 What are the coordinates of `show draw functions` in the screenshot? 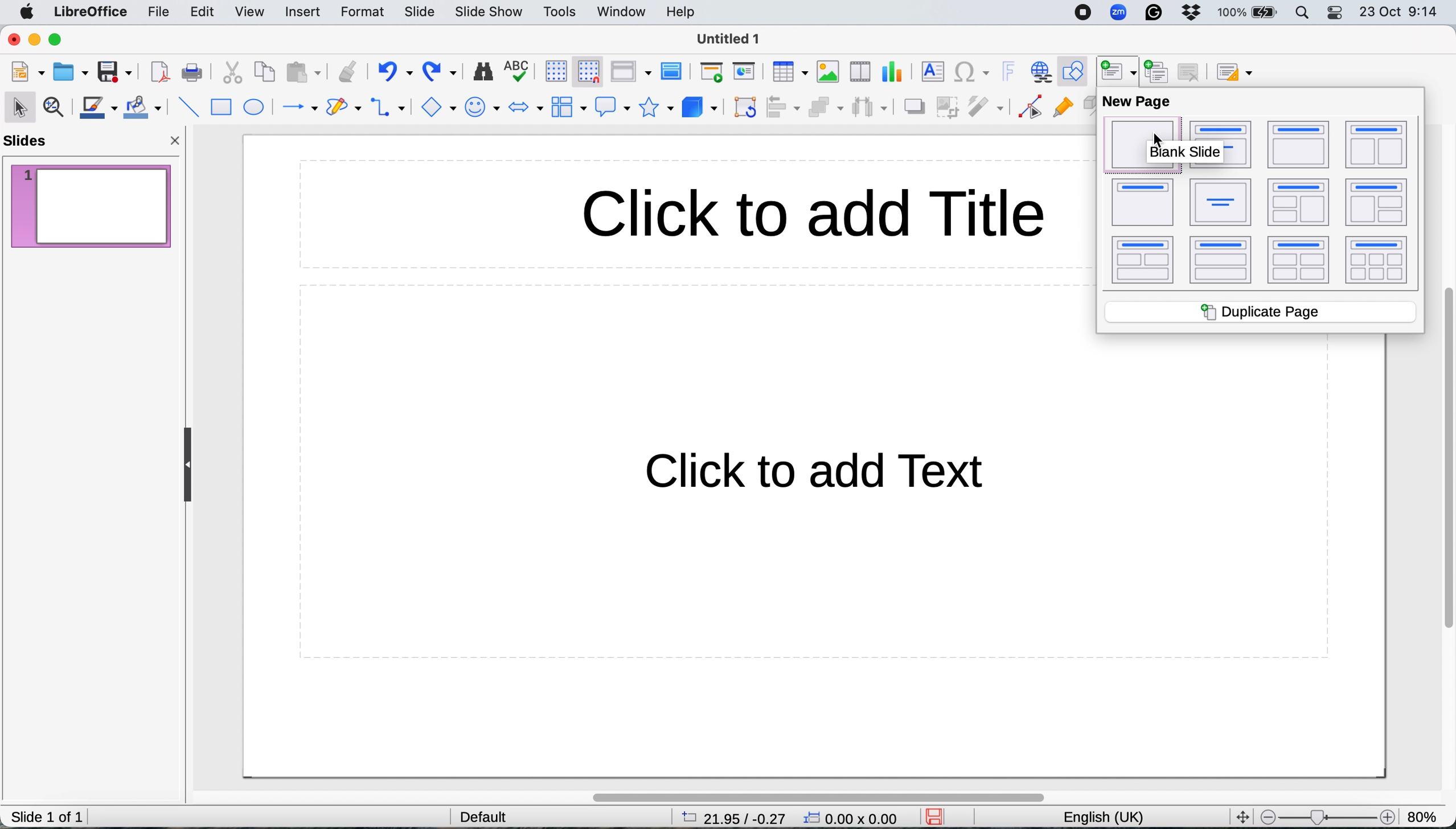 It's located at (1073, 69).